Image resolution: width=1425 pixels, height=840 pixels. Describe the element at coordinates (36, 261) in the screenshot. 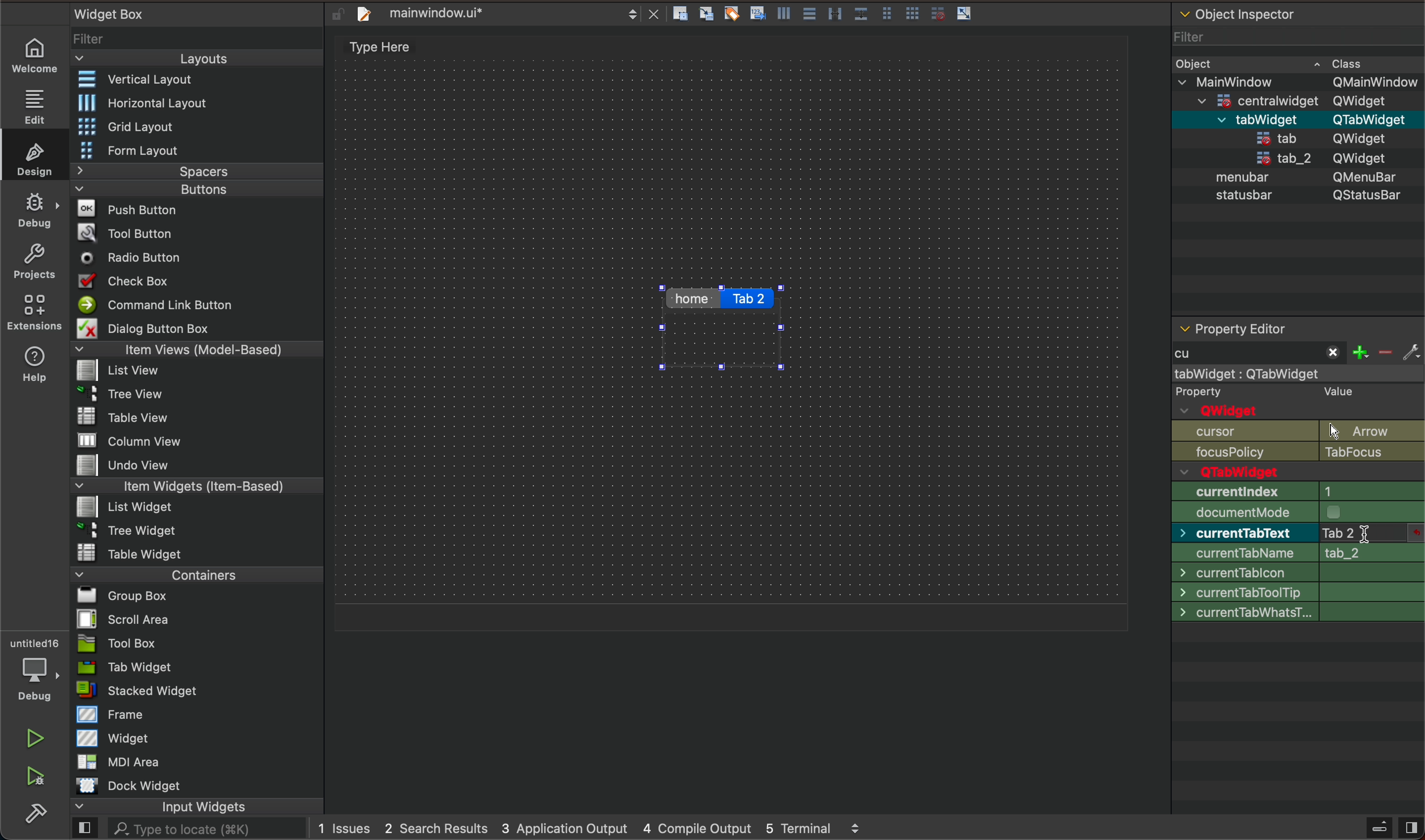

I see `projects` at that location.